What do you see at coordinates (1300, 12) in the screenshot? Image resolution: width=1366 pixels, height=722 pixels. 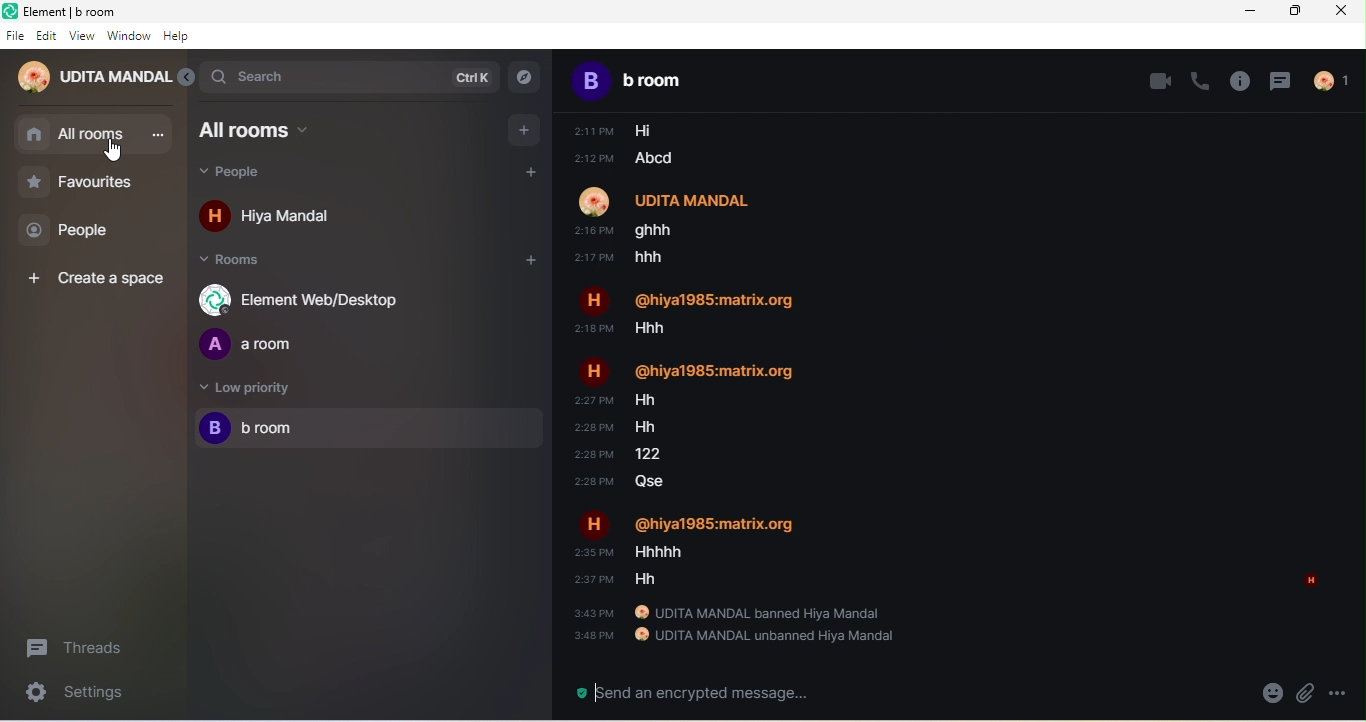 I see `maximize` at bounding box center [1300, 12].